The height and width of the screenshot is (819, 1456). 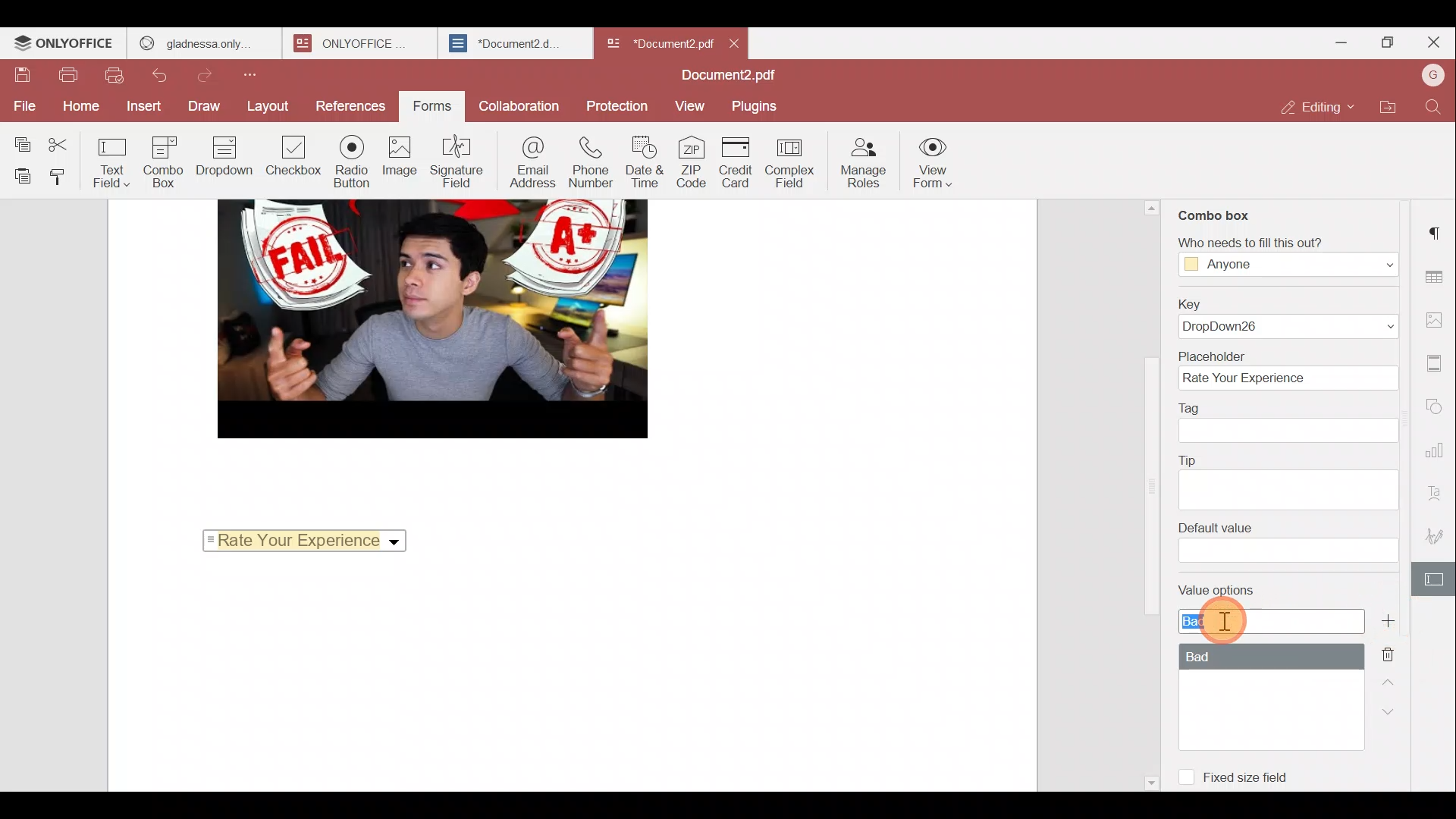 I want to click on View form, so click(x=934, y=159).